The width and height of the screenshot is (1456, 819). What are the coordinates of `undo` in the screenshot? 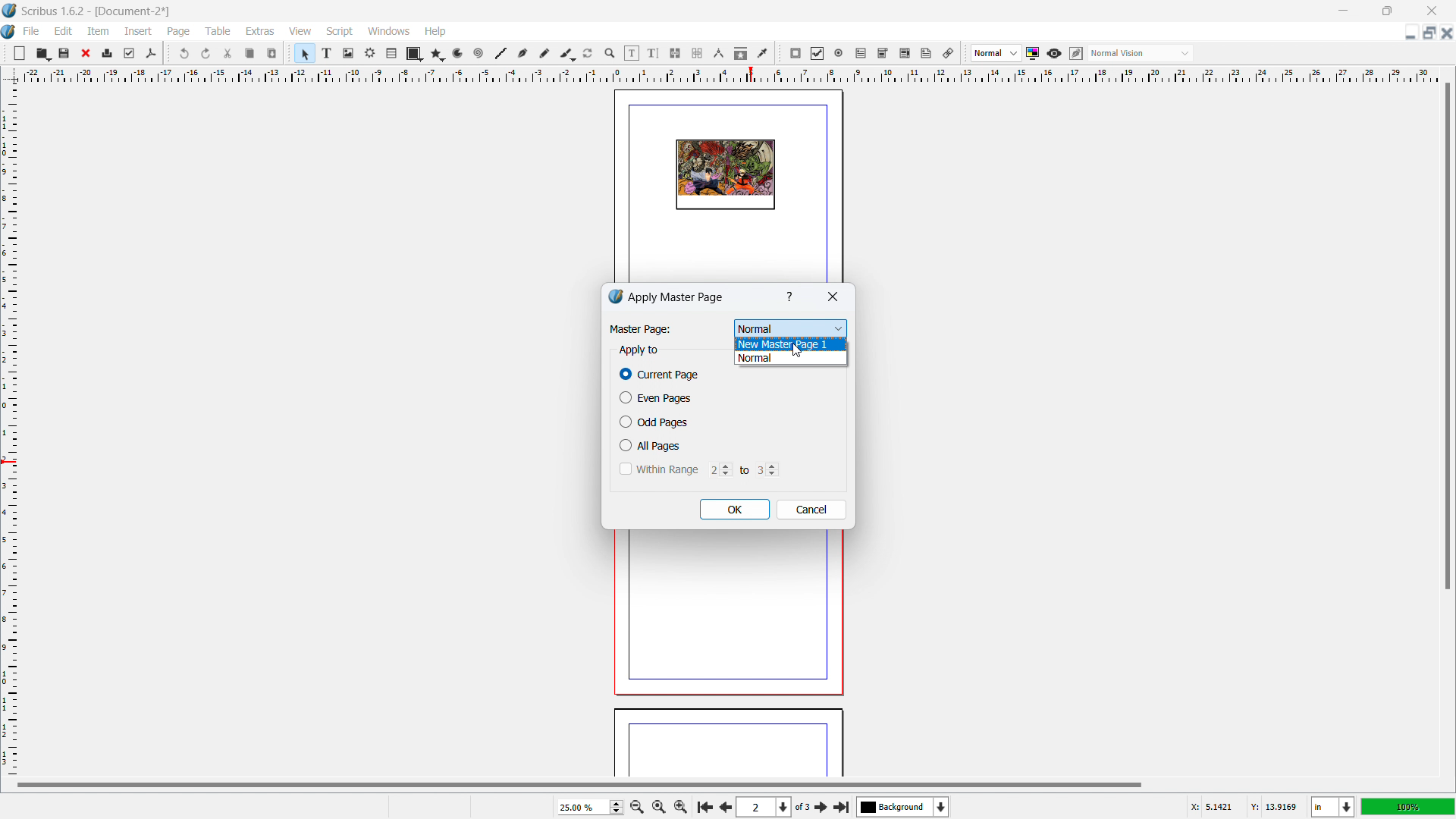 It's located at (186, 53).